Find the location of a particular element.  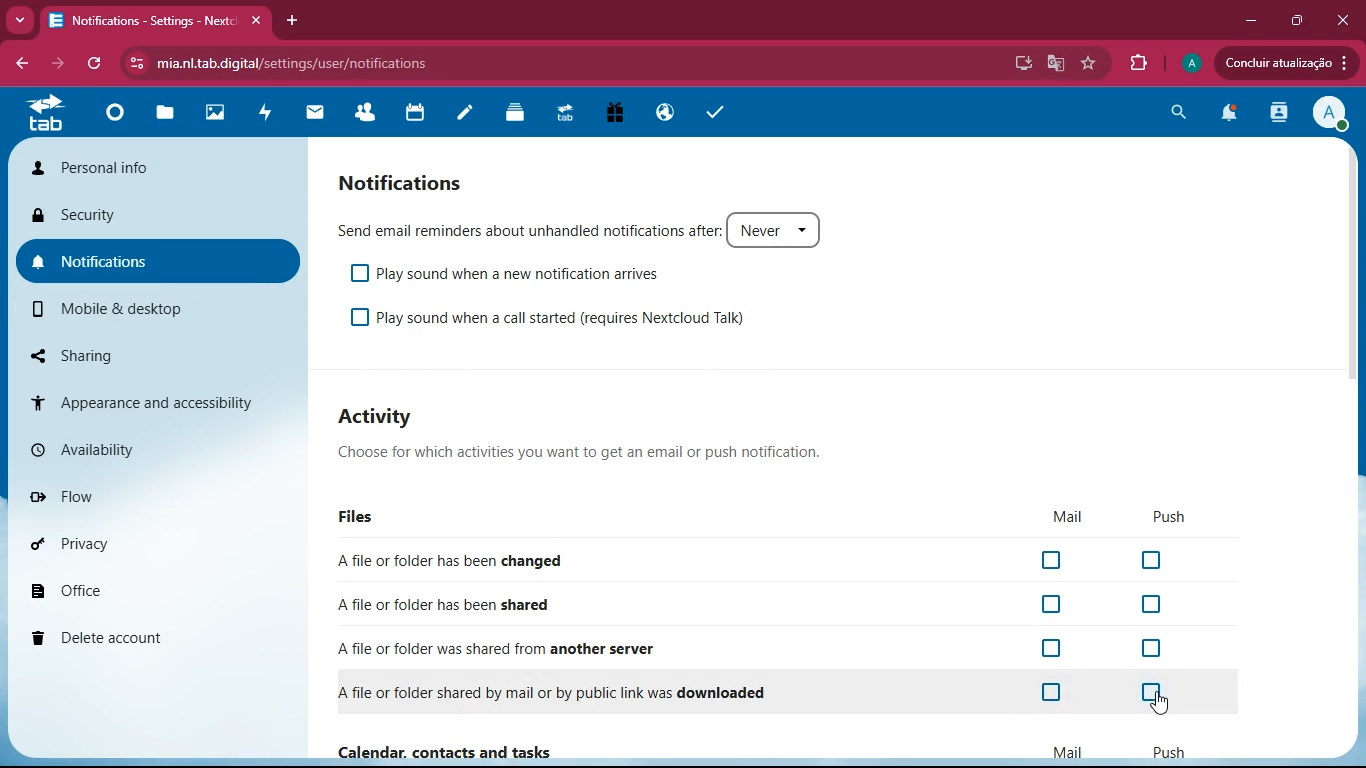

extensions is located at coordinates (1136, 61).